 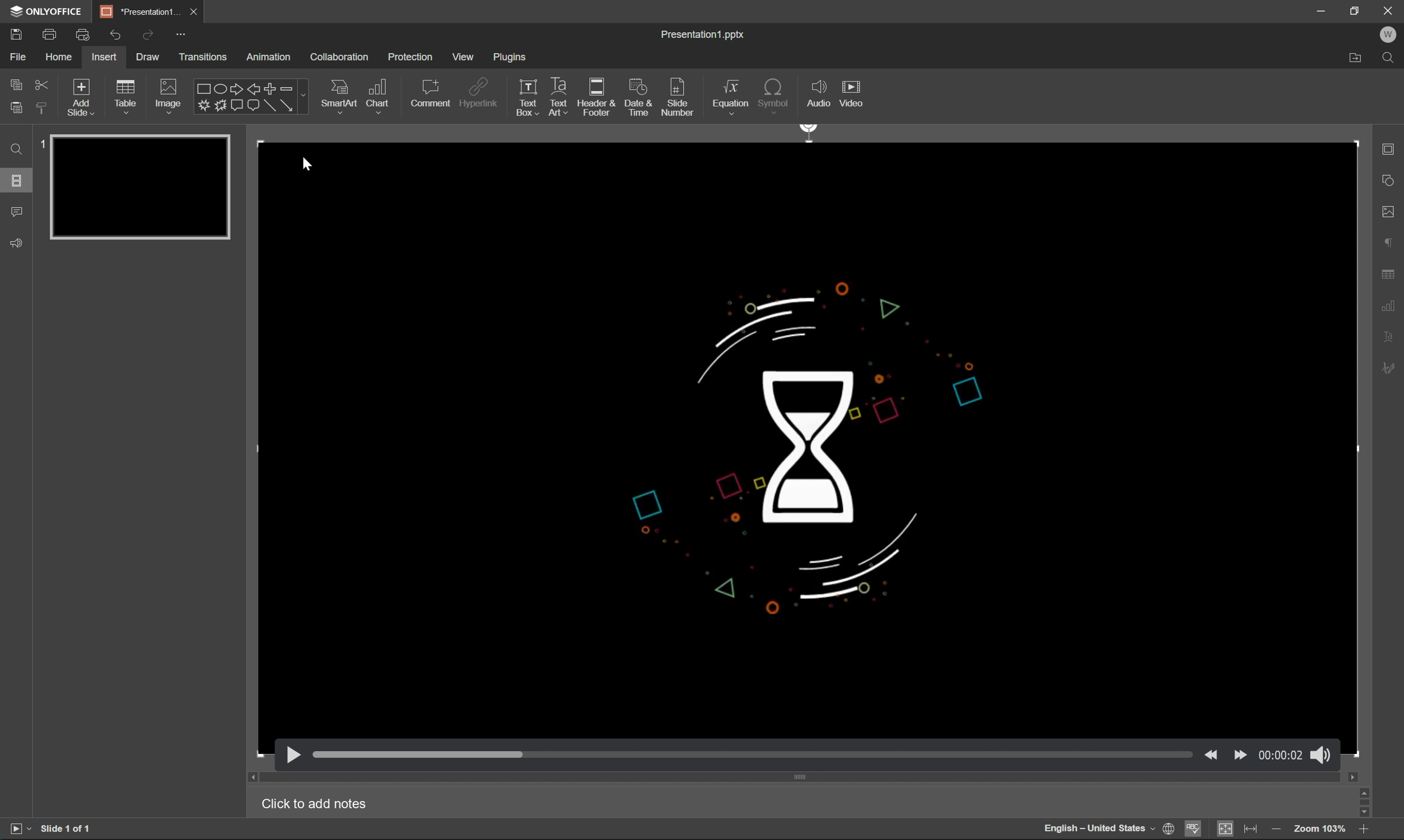 I want to click on save, so click(x=14, y=32).